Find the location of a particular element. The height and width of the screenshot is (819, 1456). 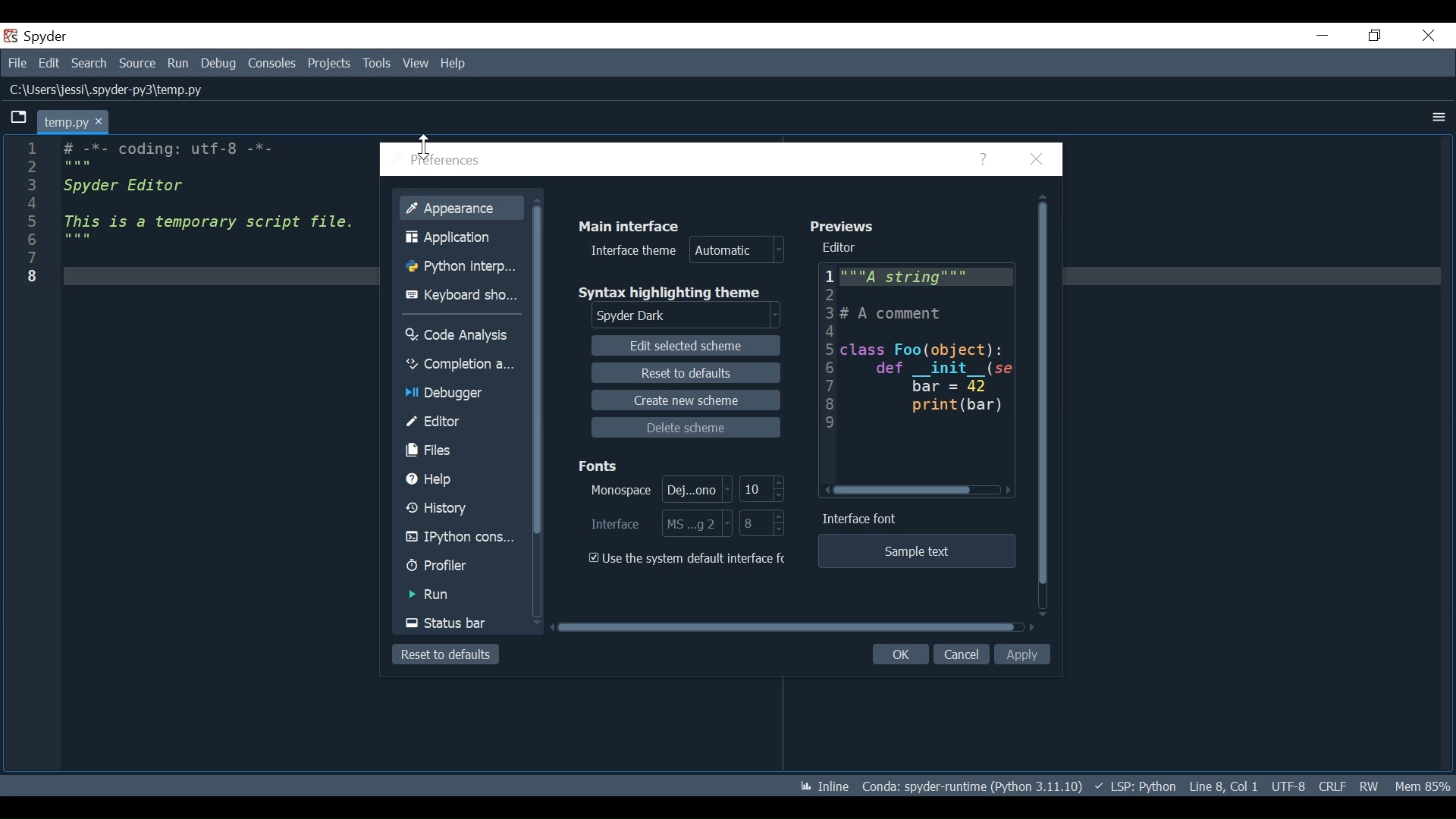

File Encoding is located at coordinates (1289, 786).